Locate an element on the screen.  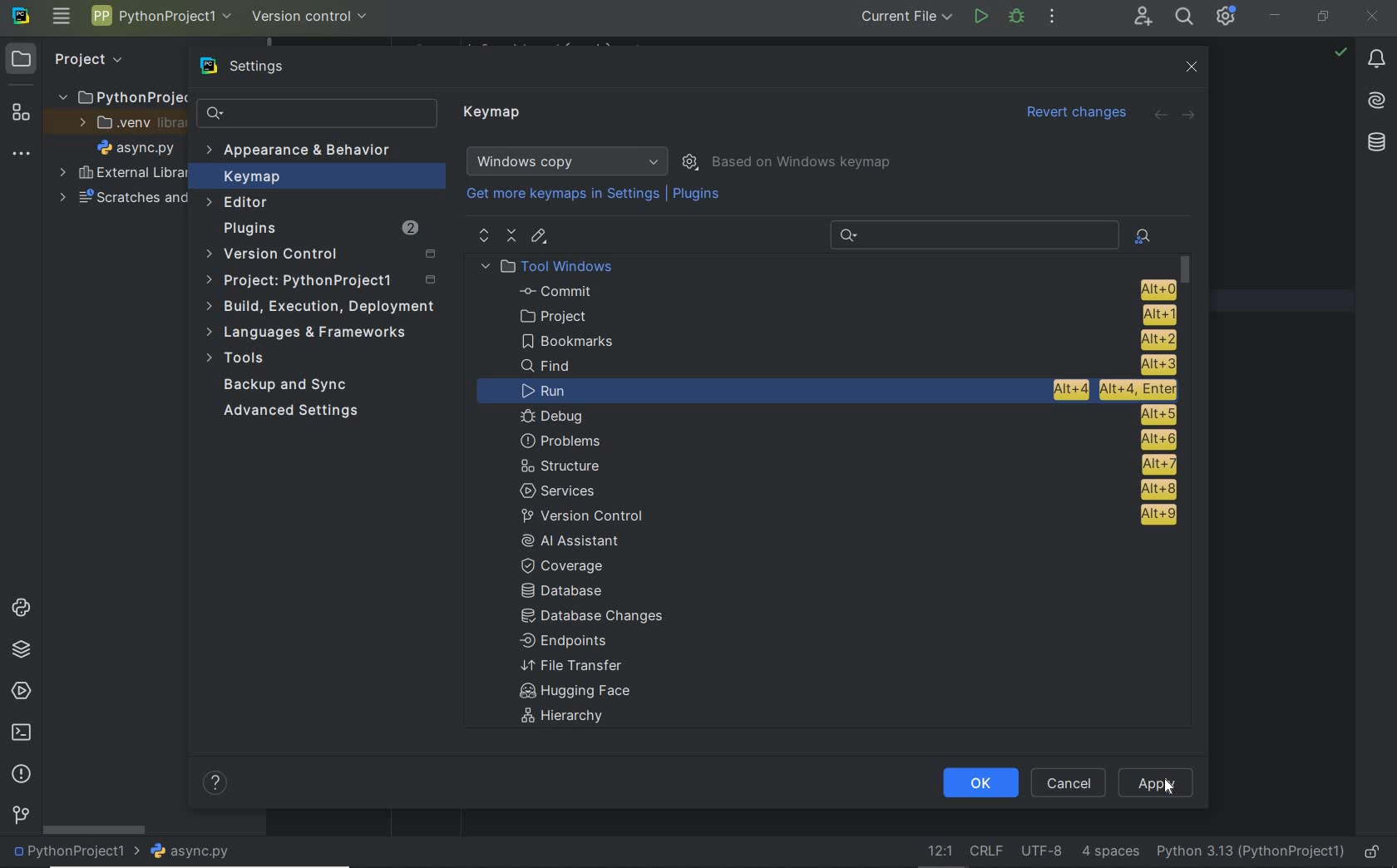
Project is located at coordinates (324, 281).